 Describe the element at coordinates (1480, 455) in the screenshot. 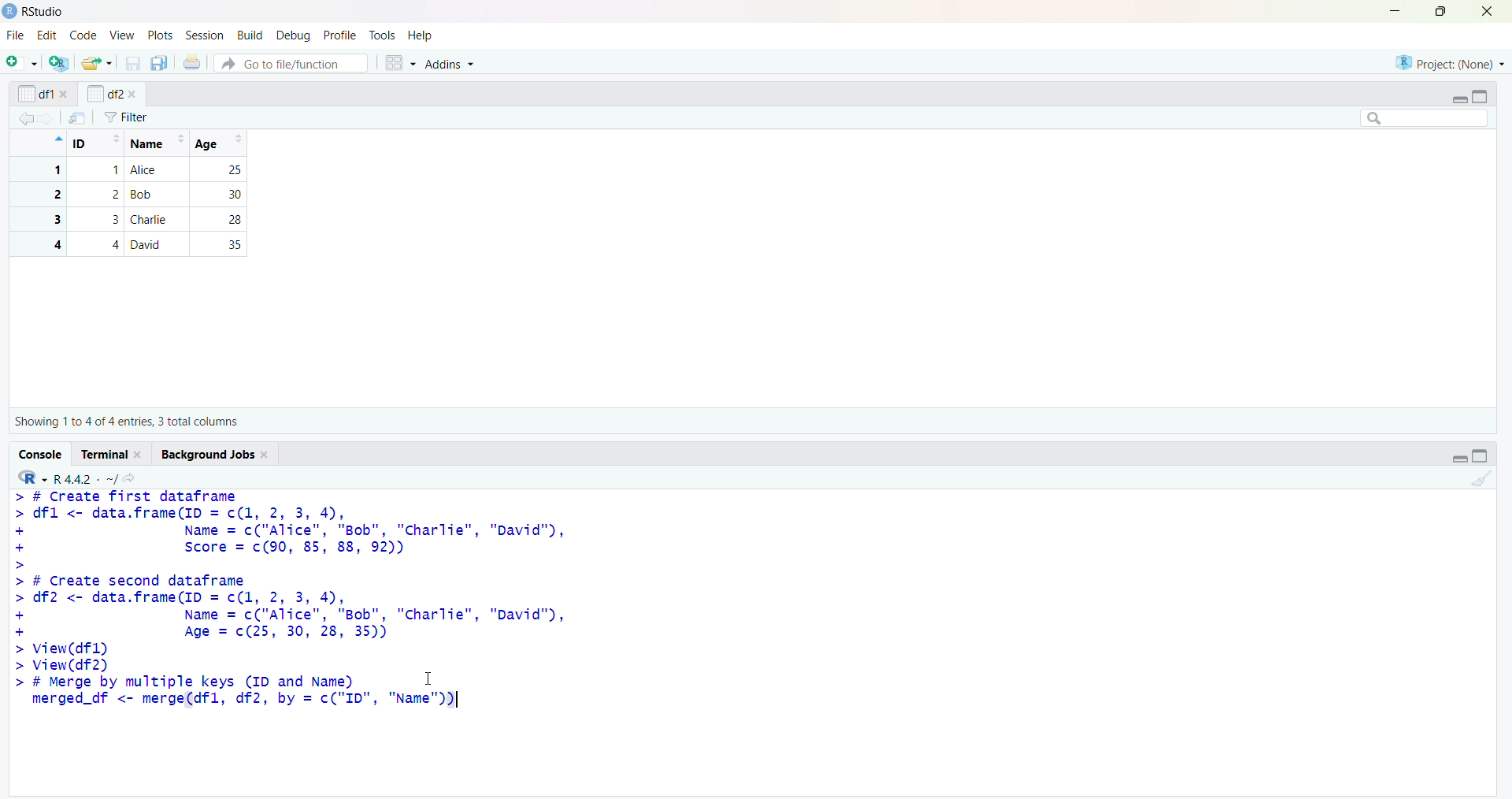

I see `toggle full view` at that location.